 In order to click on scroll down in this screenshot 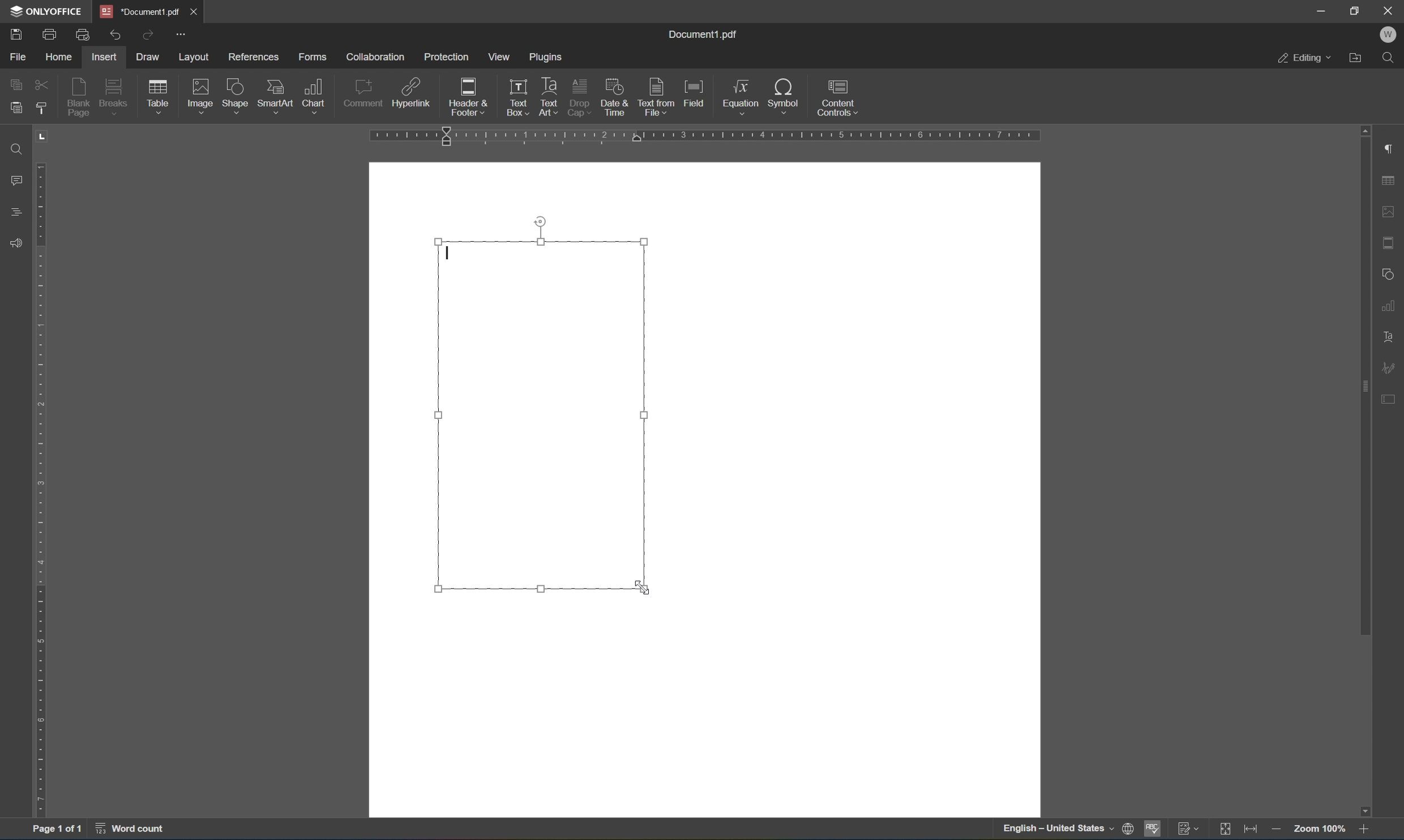, I will do `click(1364, 811)`.